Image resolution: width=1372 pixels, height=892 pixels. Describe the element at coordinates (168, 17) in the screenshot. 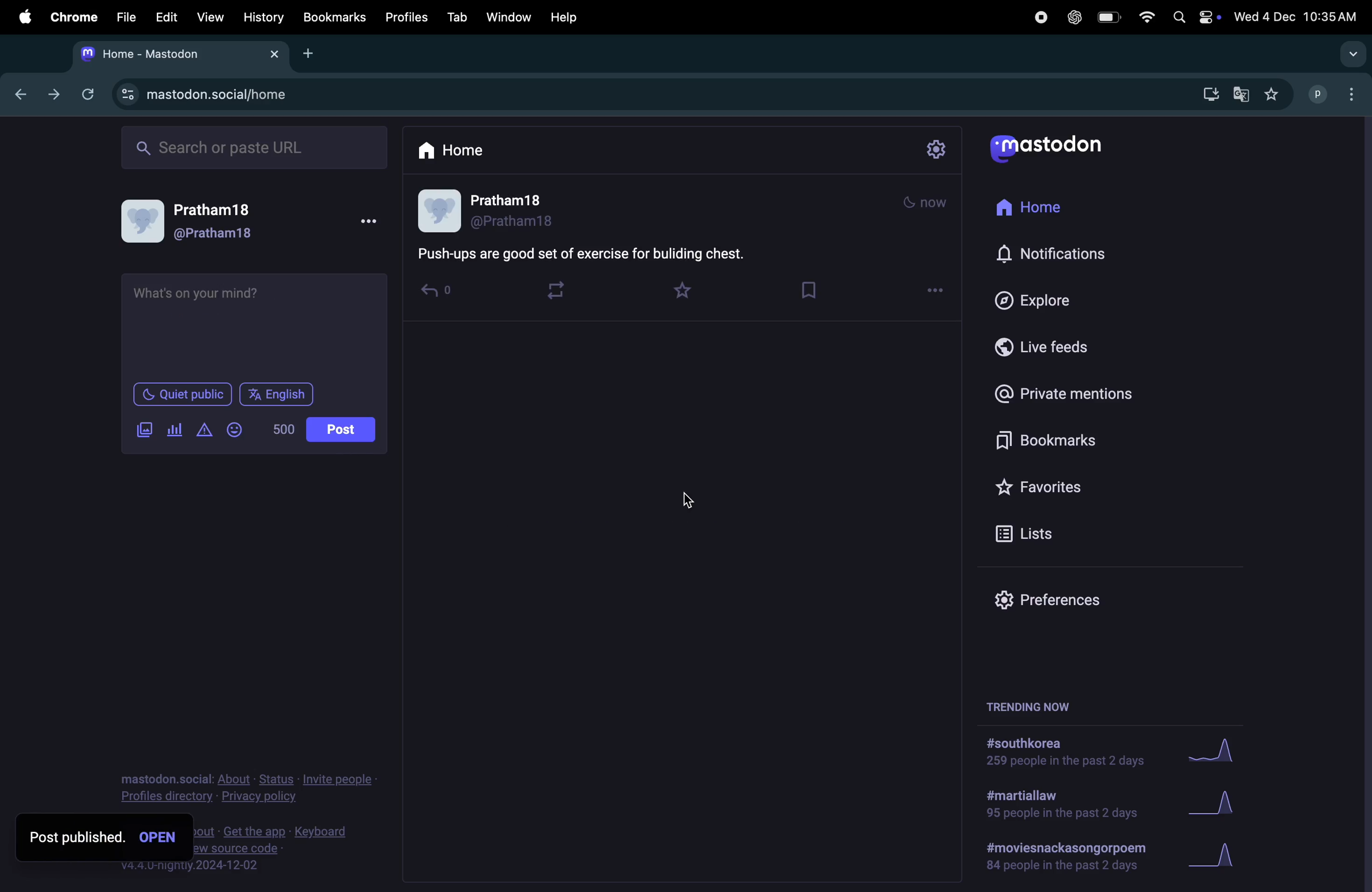

I see `Edit` at that location.